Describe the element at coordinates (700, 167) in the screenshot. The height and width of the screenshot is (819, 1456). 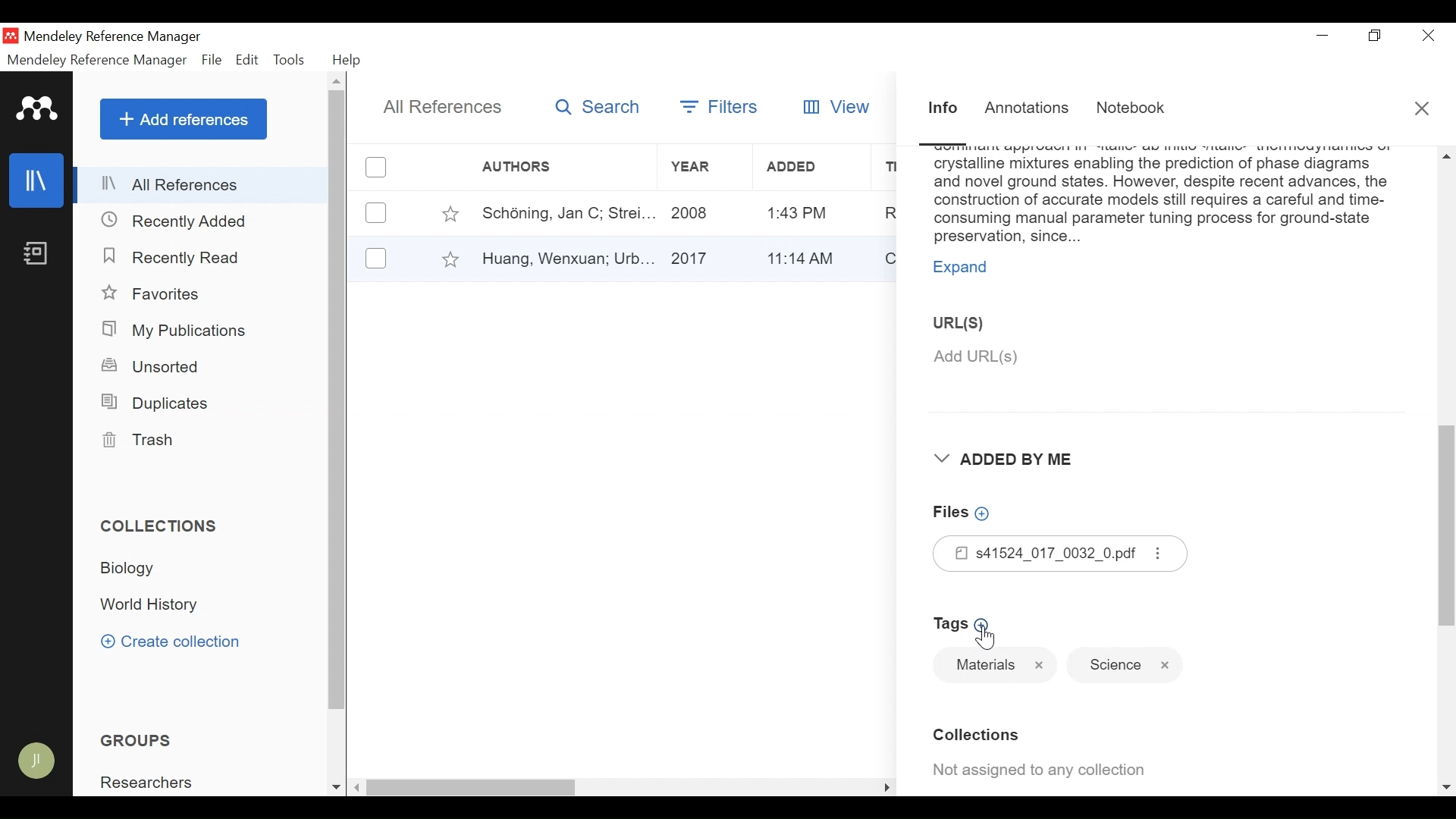
I see `Year` at that location.